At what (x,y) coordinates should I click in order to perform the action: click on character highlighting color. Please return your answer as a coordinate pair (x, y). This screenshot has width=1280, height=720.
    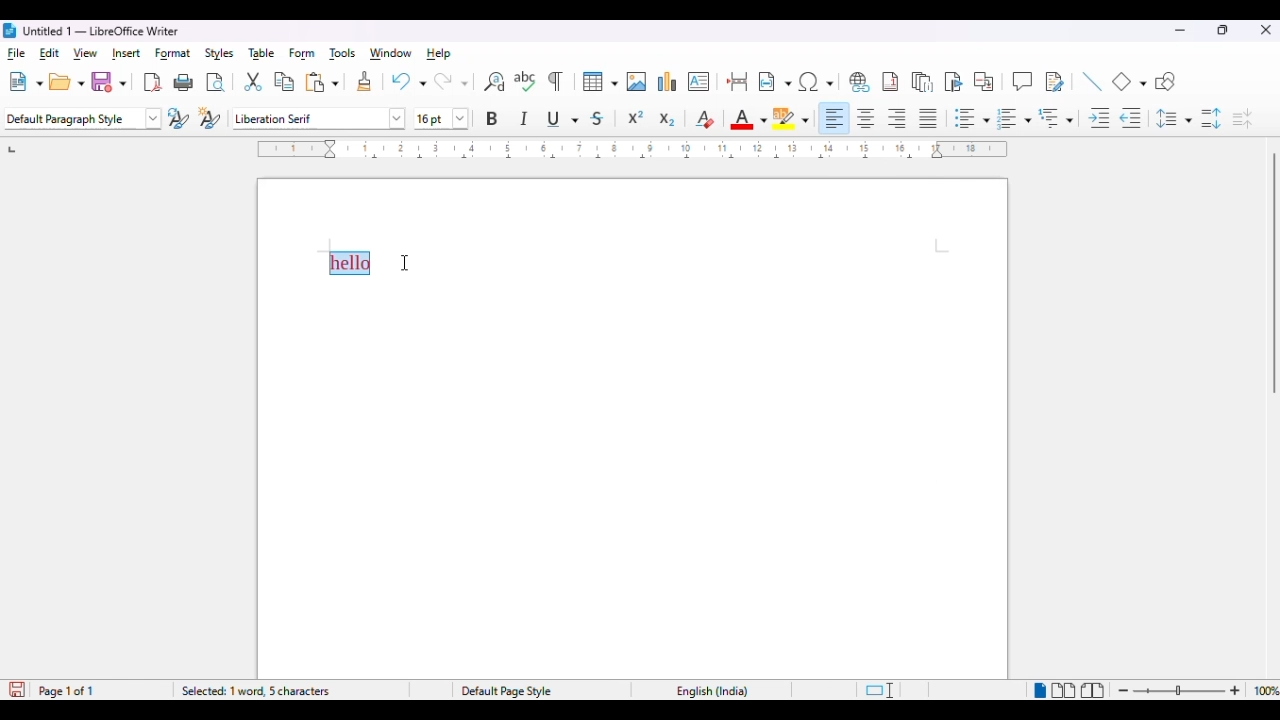
    Looking at the image, I should click on (792, 118).